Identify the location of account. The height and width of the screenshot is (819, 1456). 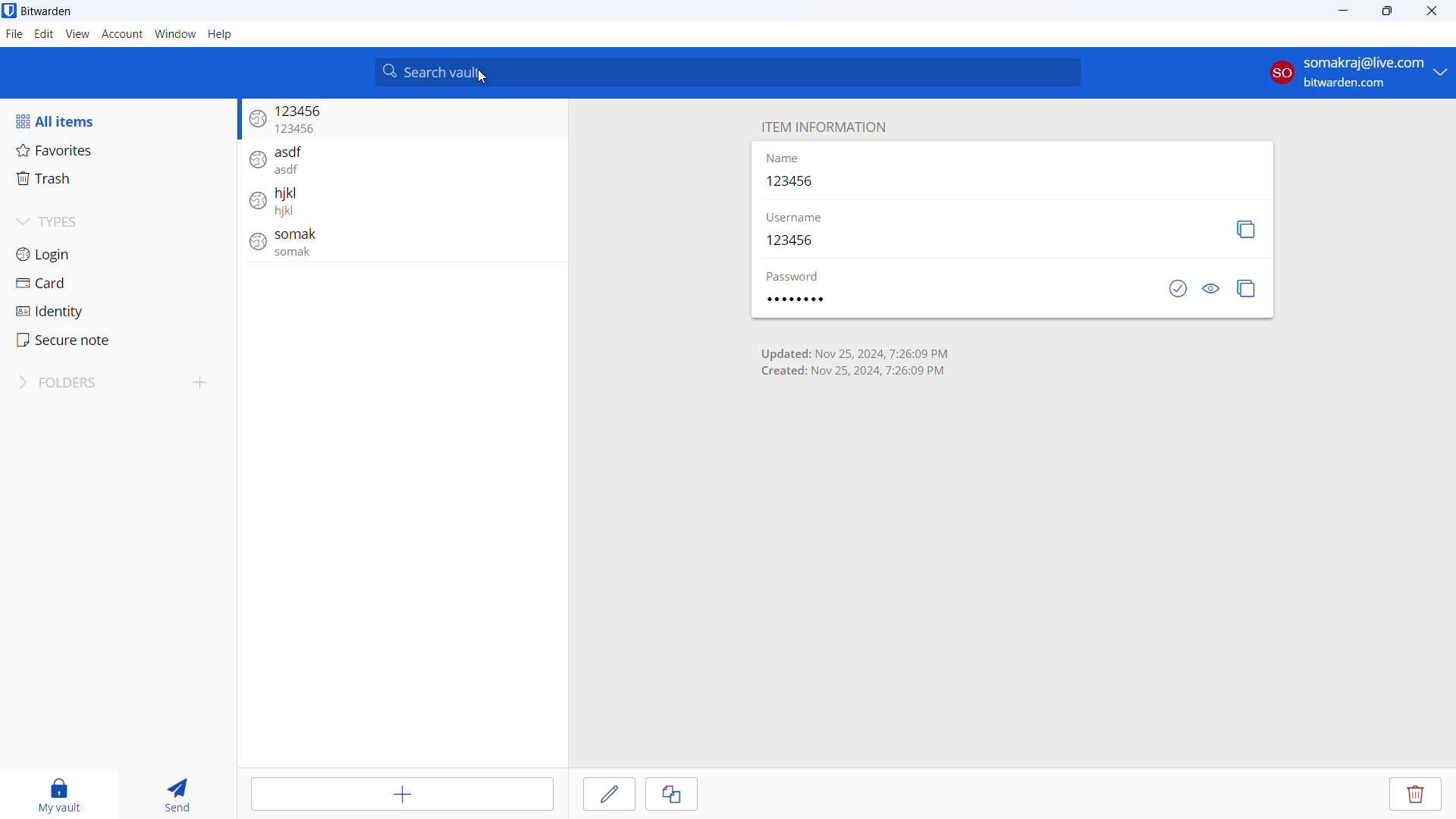
(1357, 72).